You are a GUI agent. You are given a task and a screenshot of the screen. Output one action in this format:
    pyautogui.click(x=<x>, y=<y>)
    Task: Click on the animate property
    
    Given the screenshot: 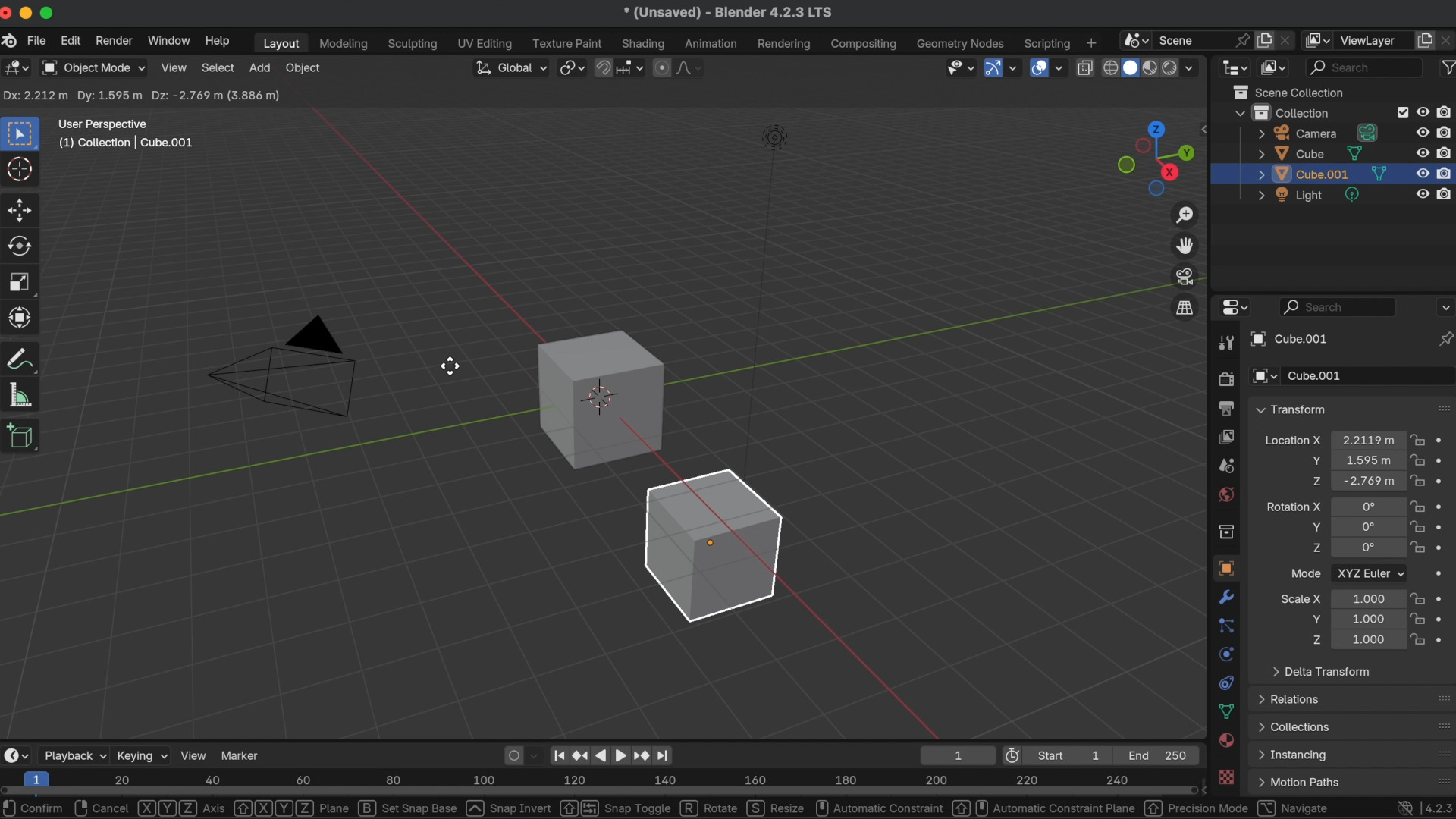 What is the action you would take?
    pyautogui.click(x=1444, y=618)
    